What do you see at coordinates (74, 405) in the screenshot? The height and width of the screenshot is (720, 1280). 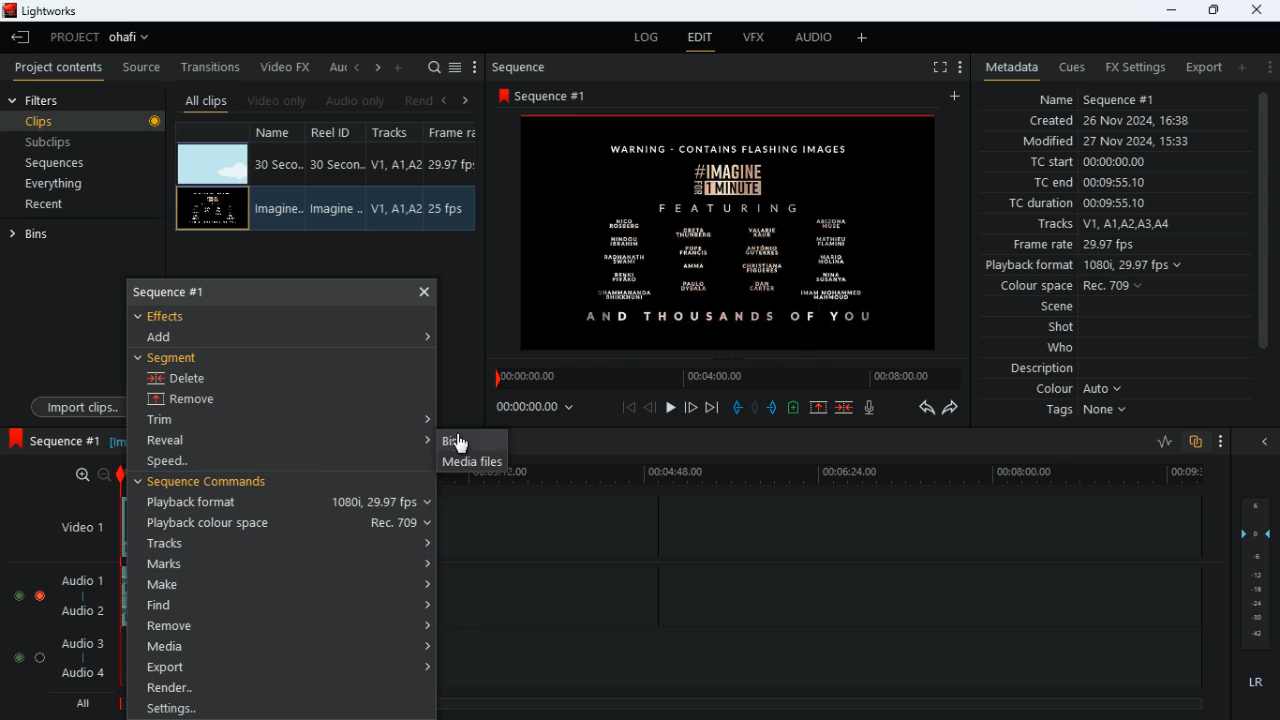 I see `import clips` at bounding box center [74, 405].